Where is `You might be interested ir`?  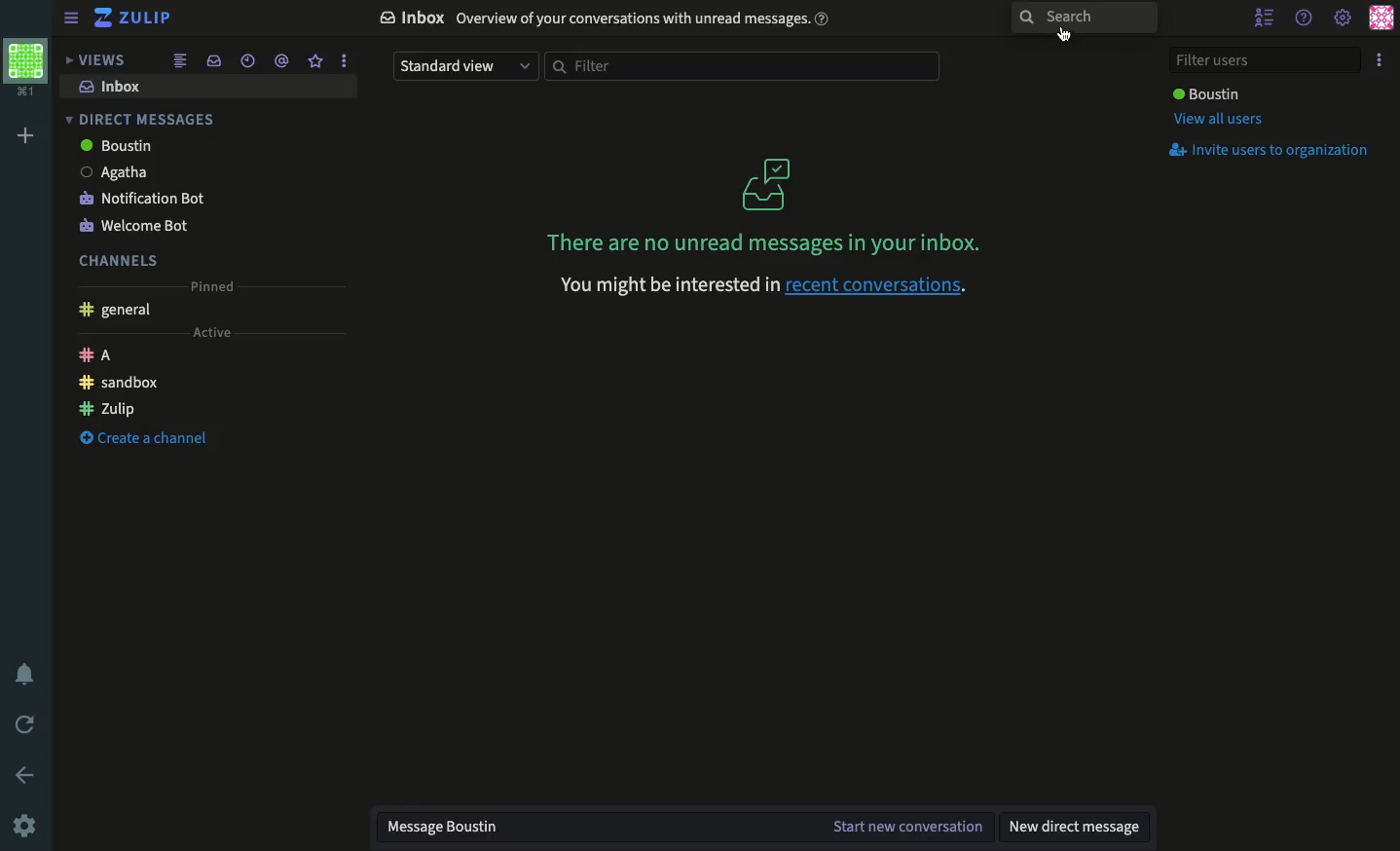 You might be interested ir is located at coordinates (666, 285).